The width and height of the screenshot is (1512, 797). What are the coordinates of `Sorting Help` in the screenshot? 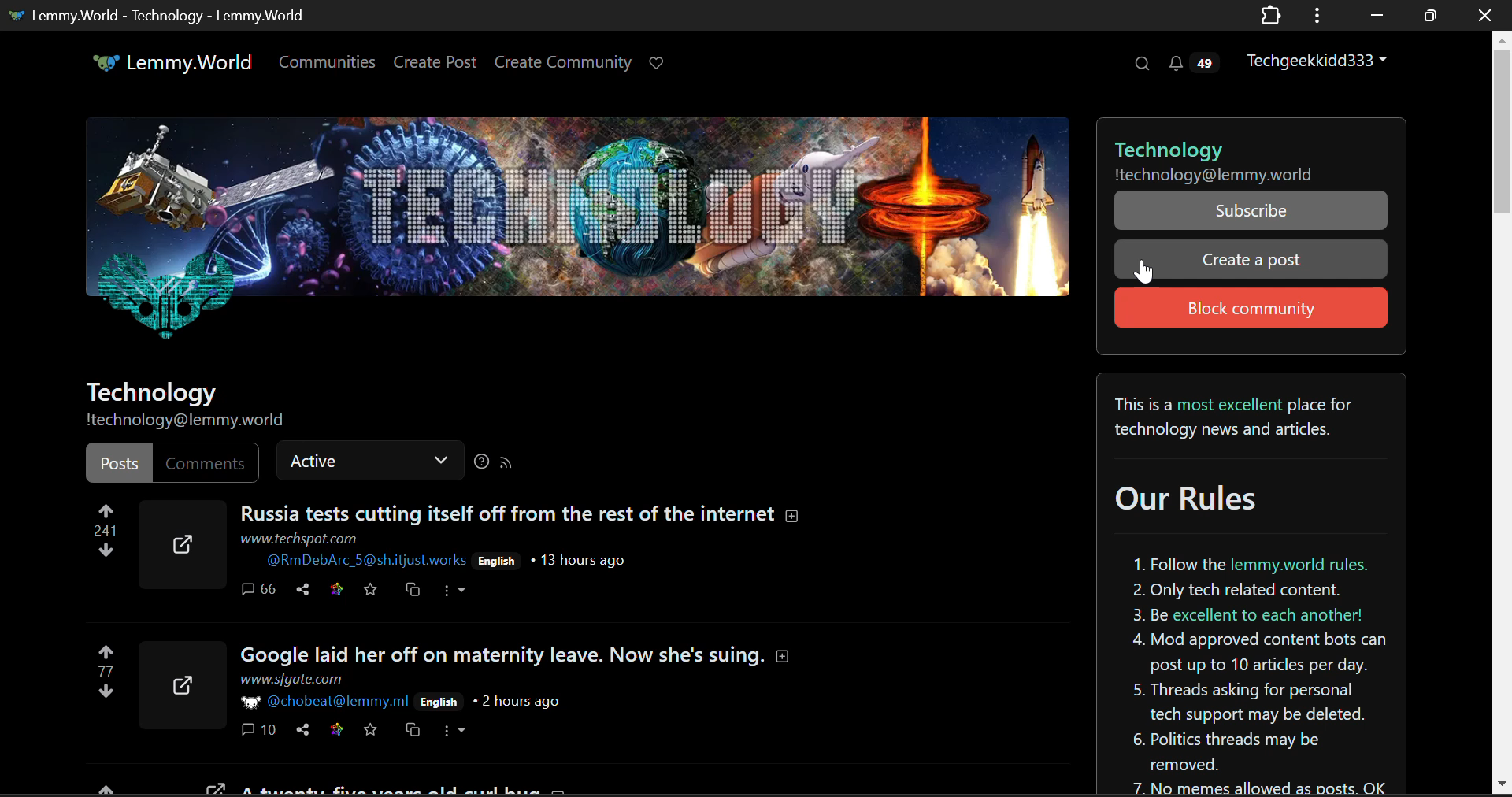 It's located at (480, 461).